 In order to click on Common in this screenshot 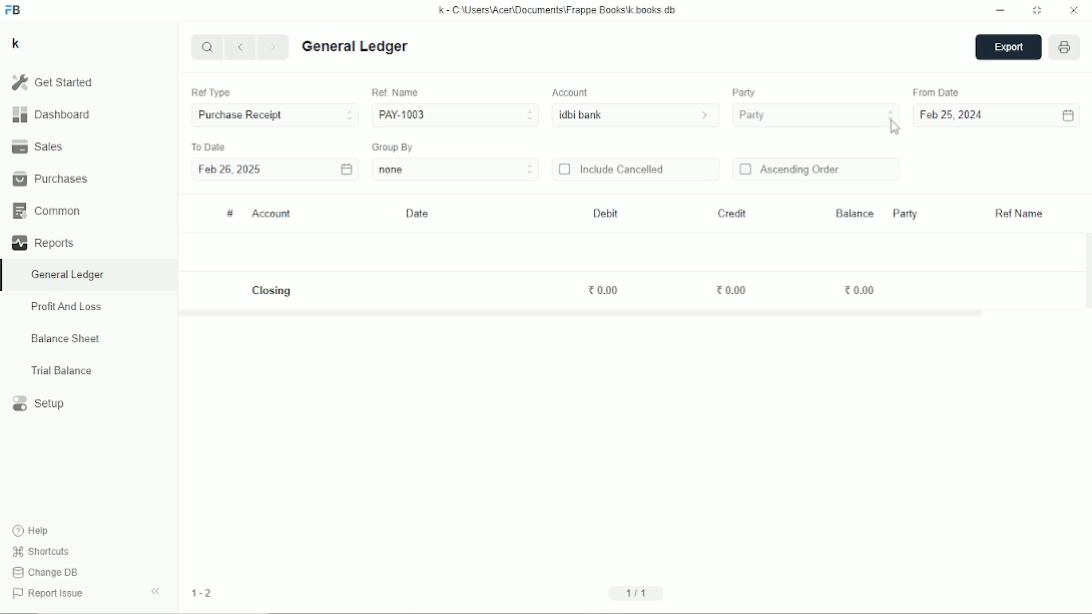, I will do `click(46, 211)`.